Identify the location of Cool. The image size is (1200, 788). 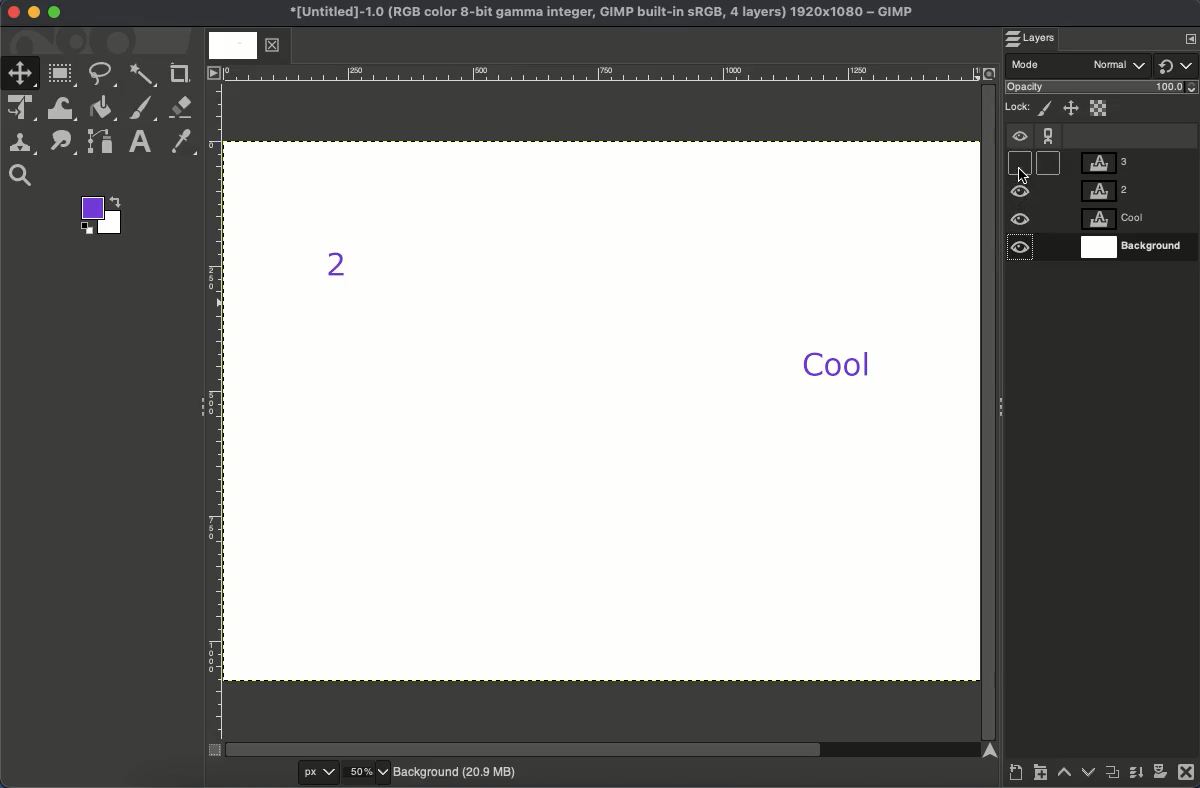
(835, 366).